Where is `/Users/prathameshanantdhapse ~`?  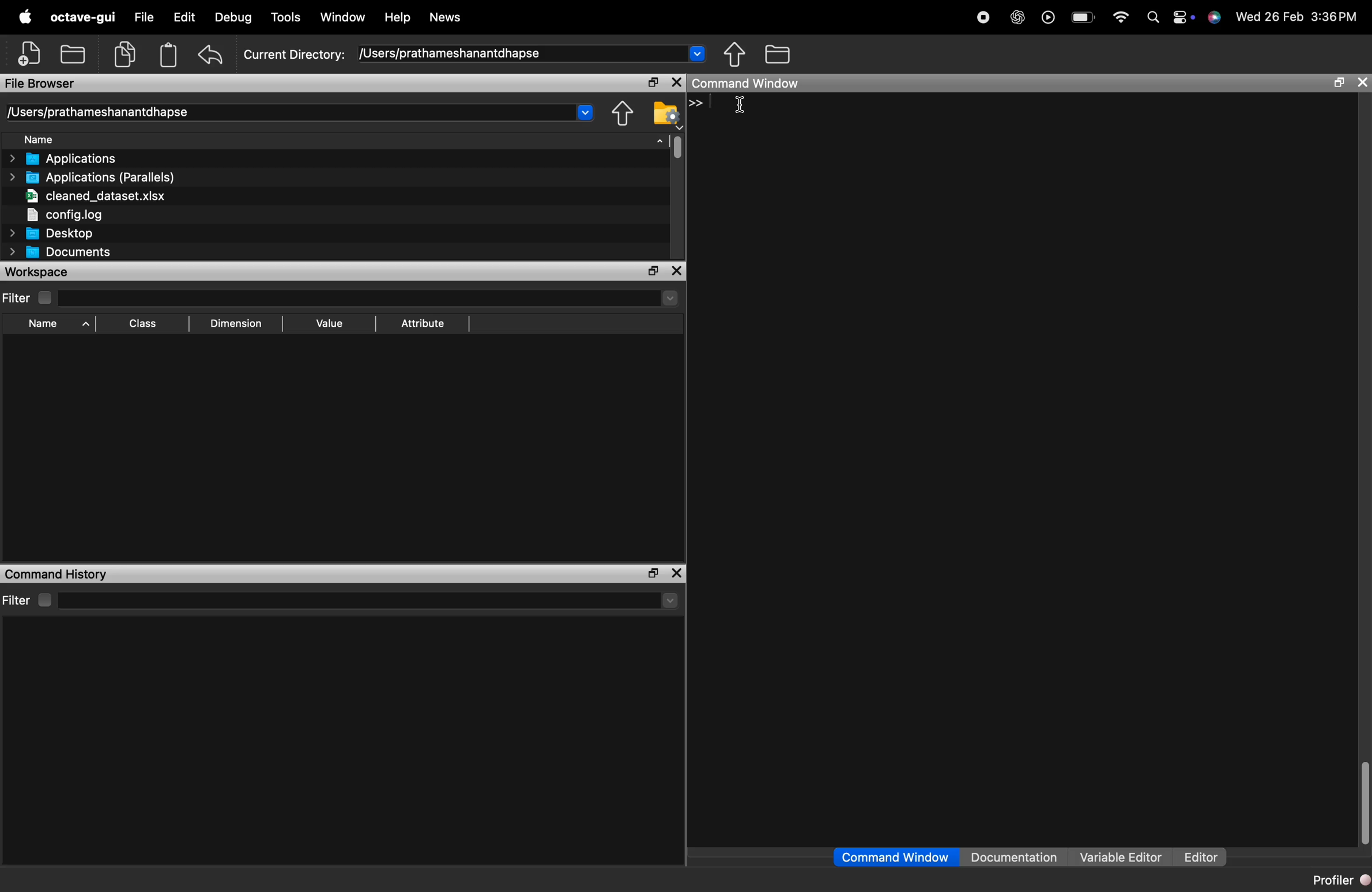 /Users/prathameshanantdhapse ~ is located at coordinates (529, 54).